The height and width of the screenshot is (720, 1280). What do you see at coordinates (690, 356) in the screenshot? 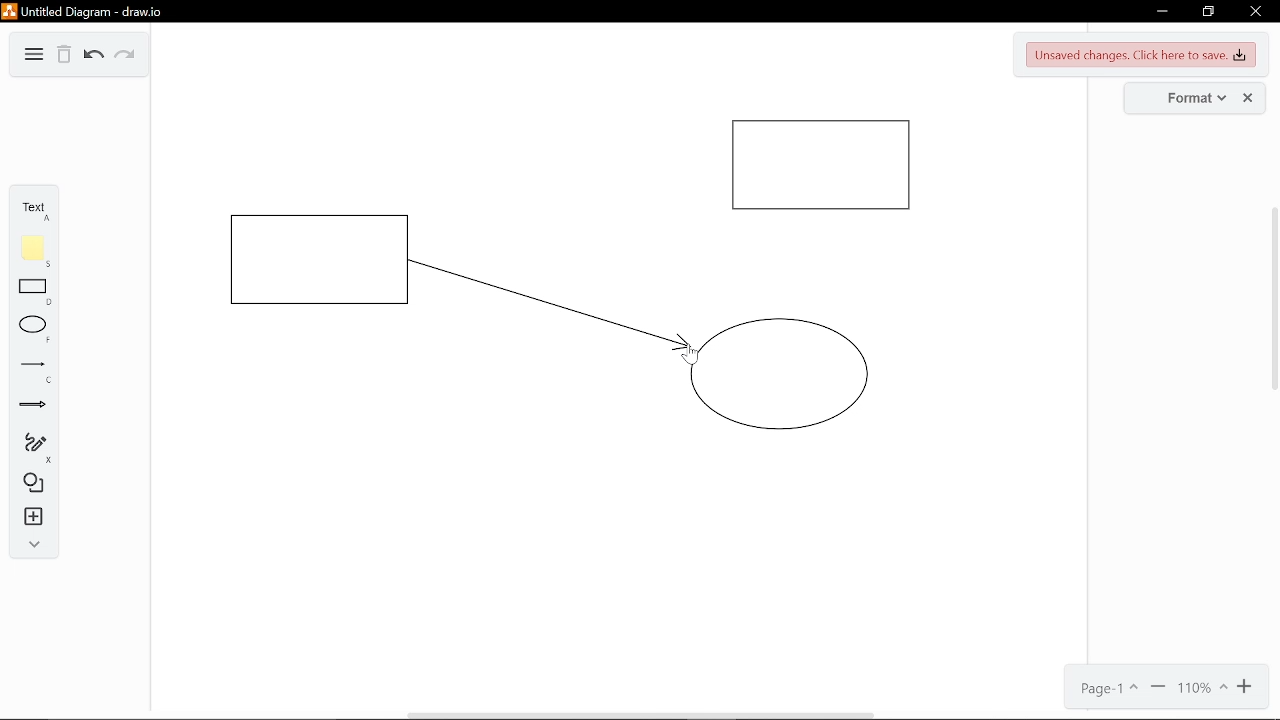
I see `Pointer` at bounding box center [690, 356].